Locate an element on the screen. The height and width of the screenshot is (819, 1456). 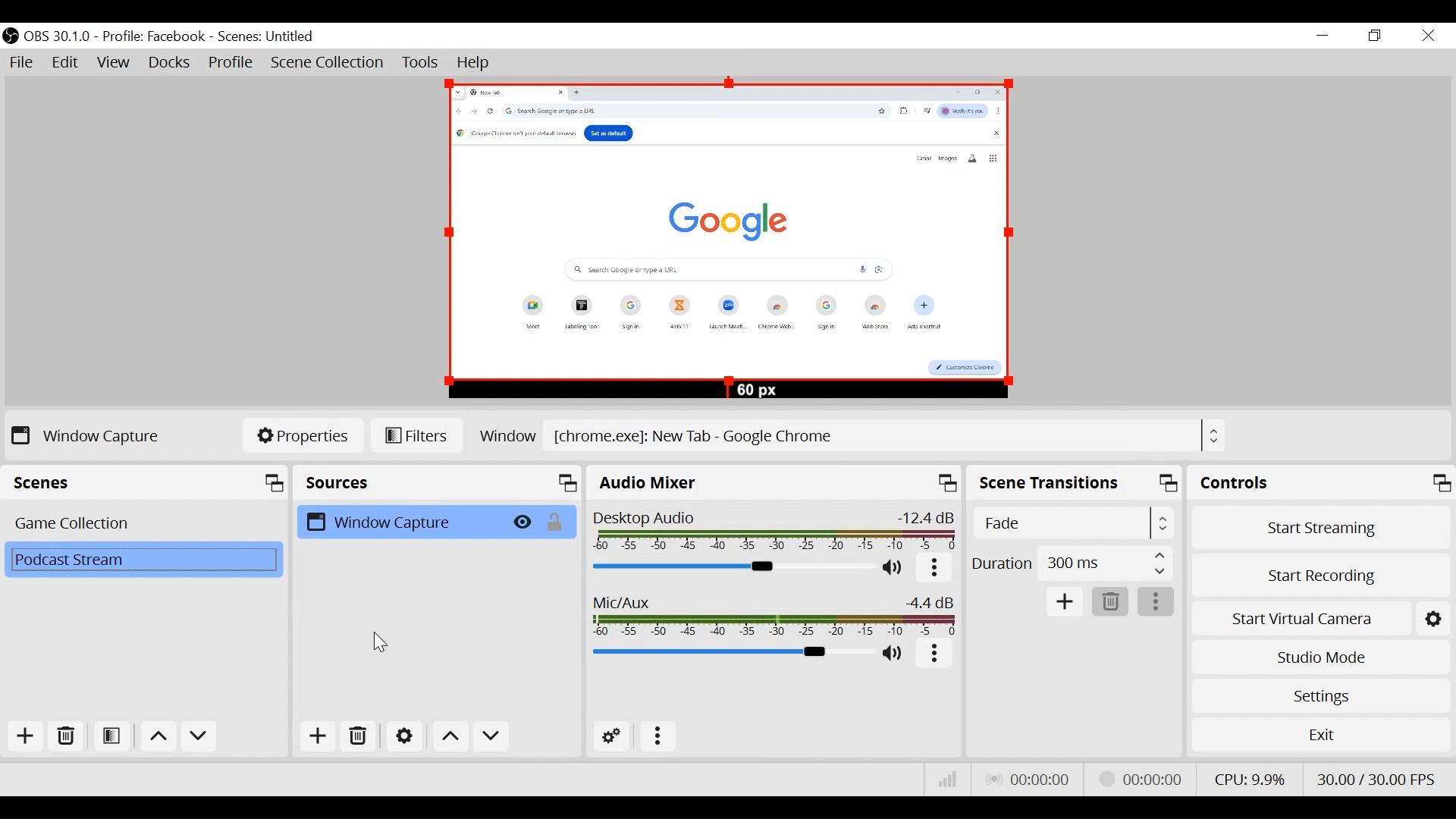
Live Status is located at coordinates (1027, 779).